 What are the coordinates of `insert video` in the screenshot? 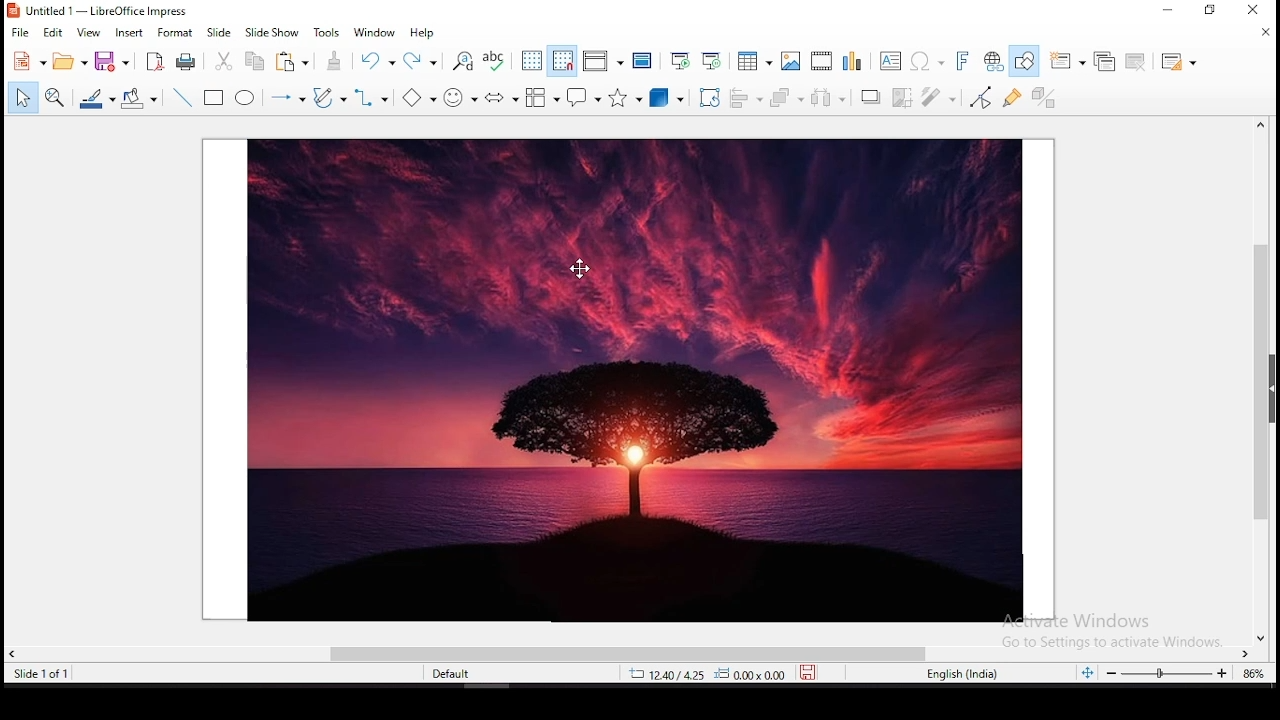 It's located at (821, 62).